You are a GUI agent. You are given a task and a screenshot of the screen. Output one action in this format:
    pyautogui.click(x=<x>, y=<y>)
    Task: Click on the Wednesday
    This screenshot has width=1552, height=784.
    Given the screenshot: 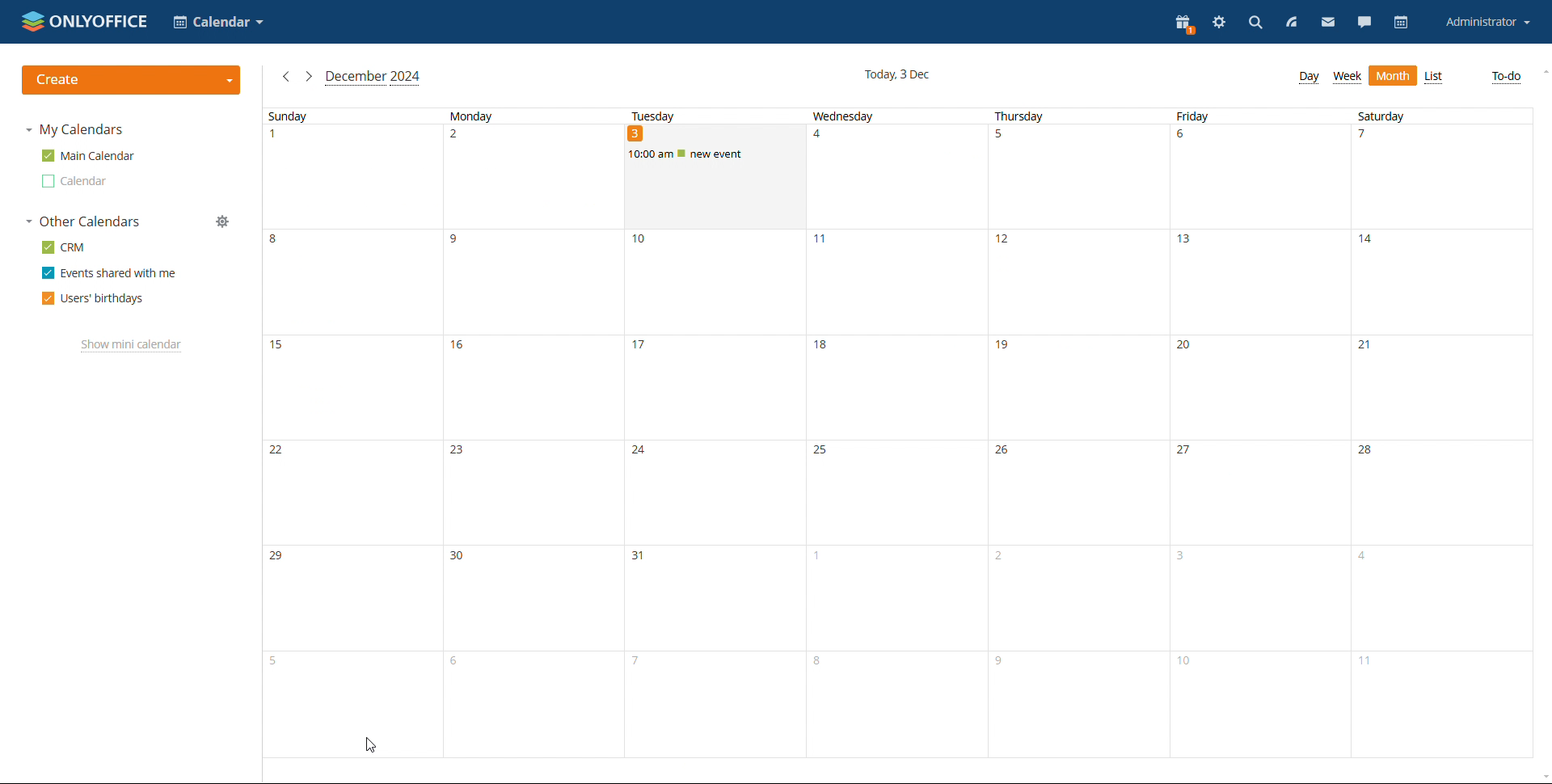 What is the action you would take?
    pyautogui.click(x=896, y=116)
    